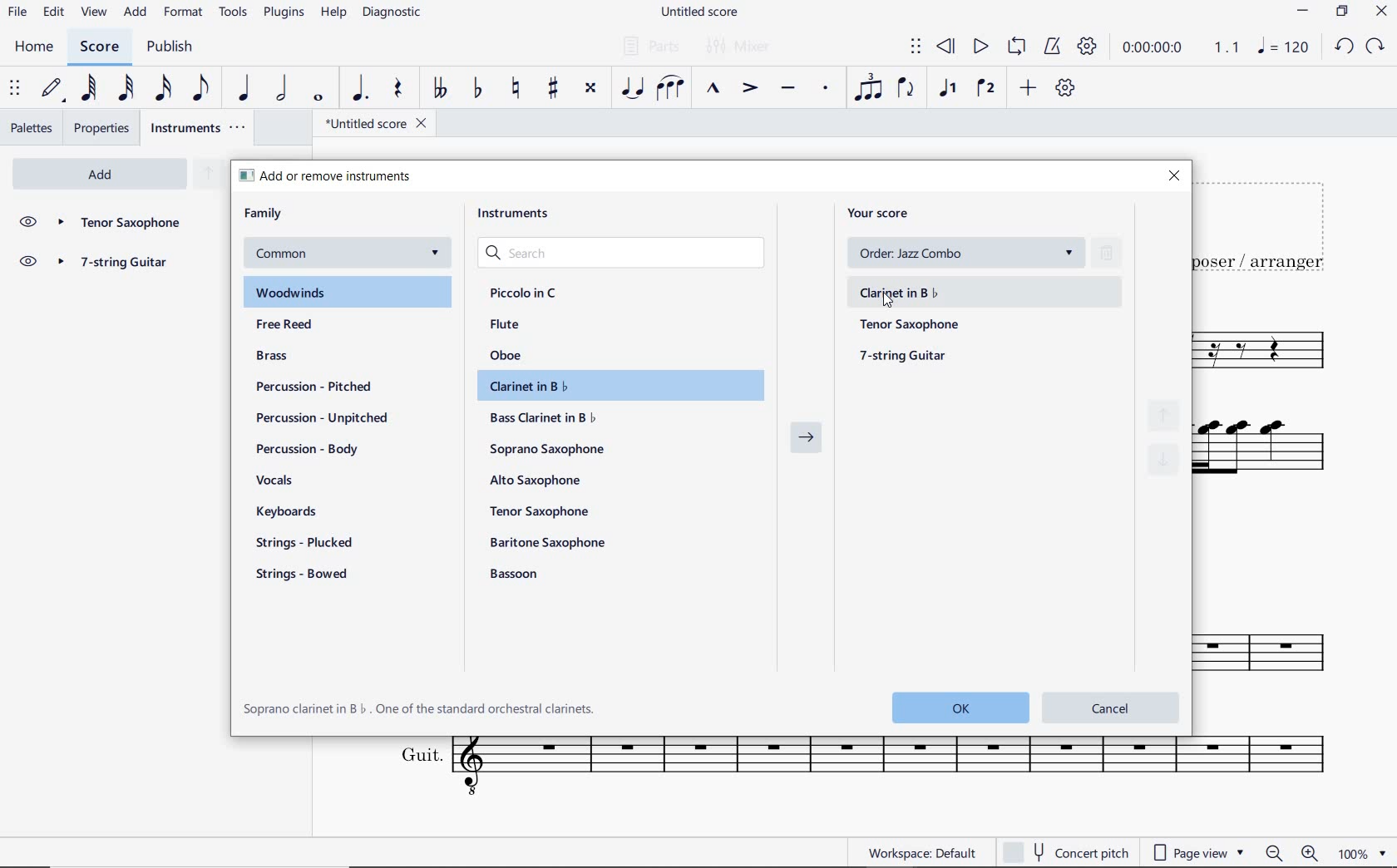  I want to click on strings - plucked, so click(309, 542).